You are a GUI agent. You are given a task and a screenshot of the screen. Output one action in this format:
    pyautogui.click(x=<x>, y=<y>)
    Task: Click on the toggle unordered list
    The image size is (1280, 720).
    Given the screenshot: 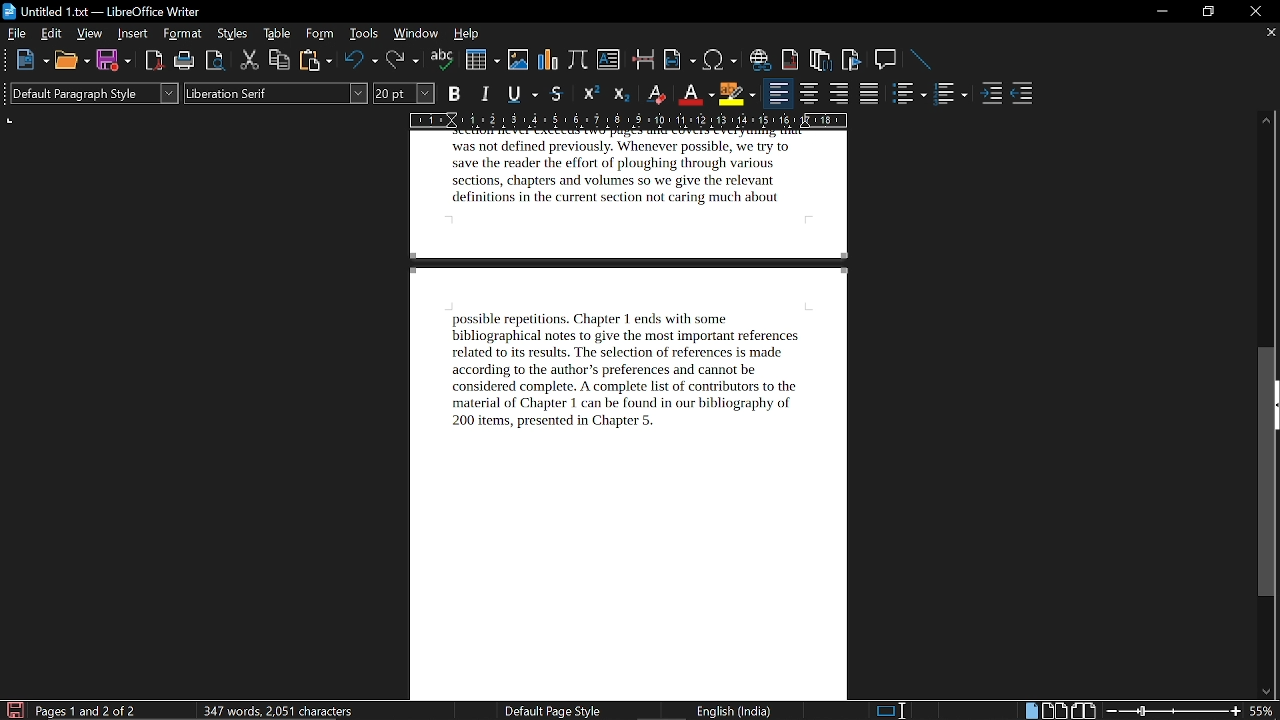 What is the action you would take?
    pyautogui.click(x=952, y=95)
    